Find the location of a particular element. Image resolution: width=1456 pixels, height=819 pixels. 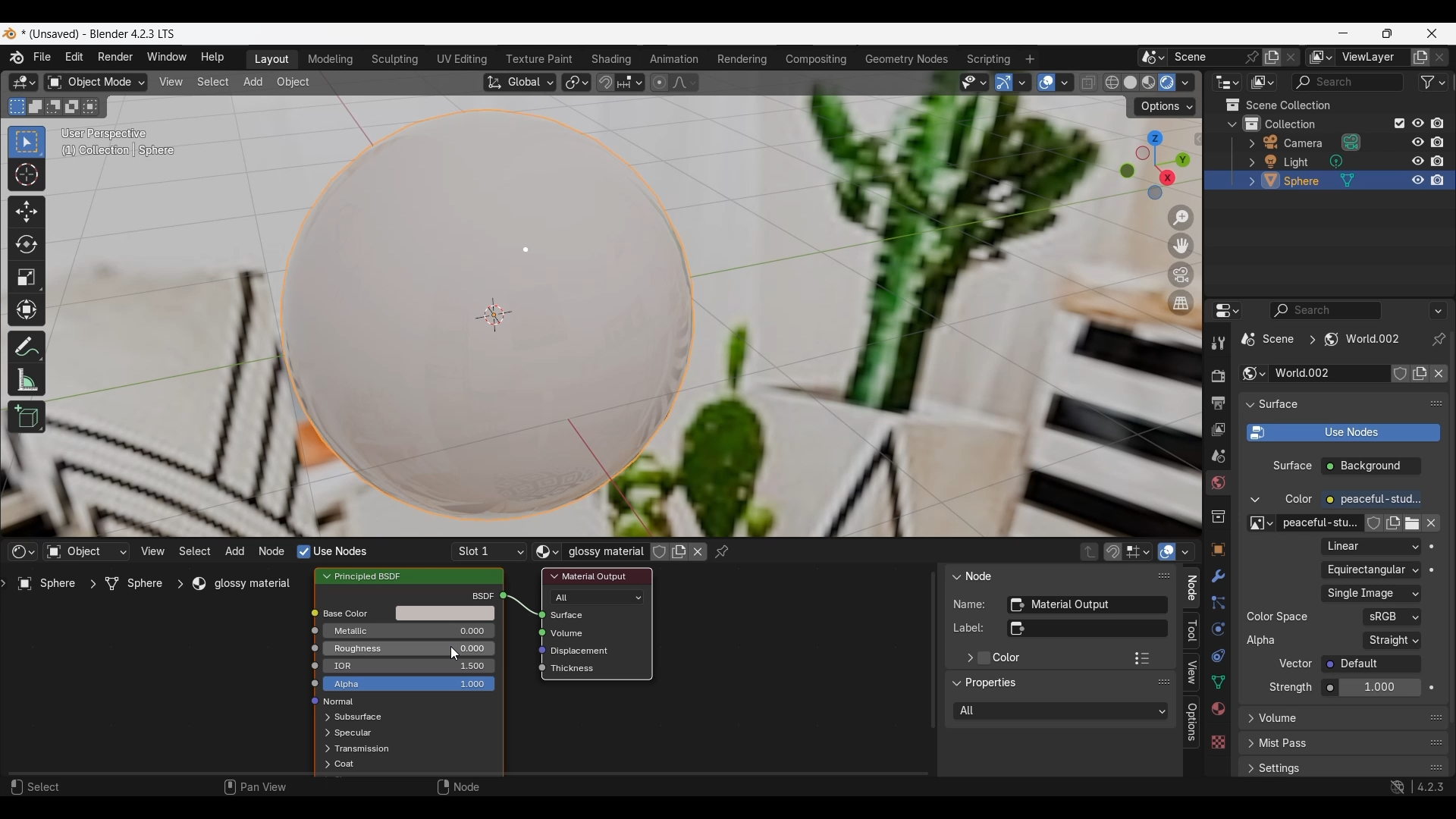

Options panel is located at coordinates (1192, 722).